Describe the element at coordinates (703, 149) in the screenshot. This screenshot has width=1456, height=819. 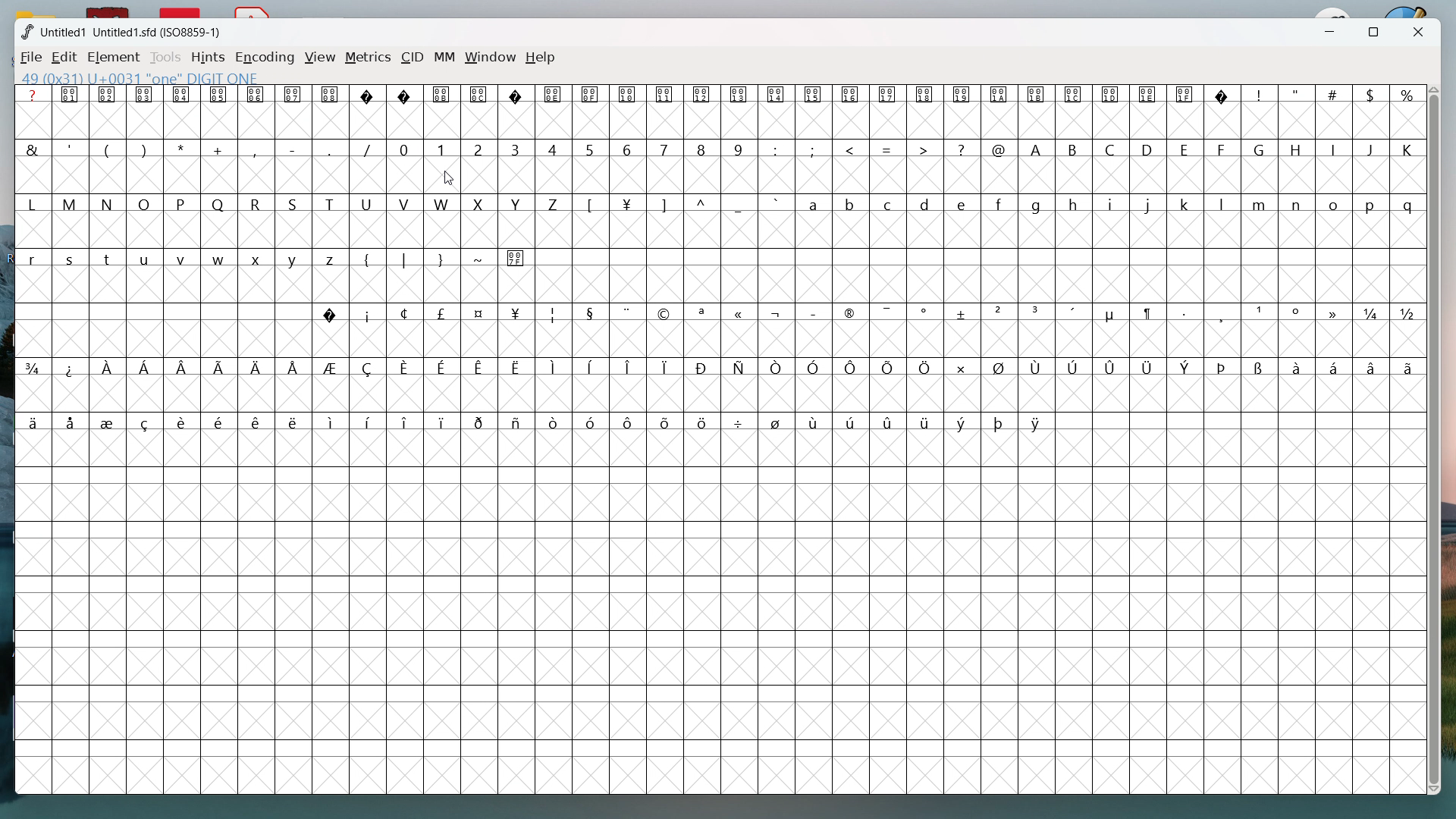
I see `8` at that location.